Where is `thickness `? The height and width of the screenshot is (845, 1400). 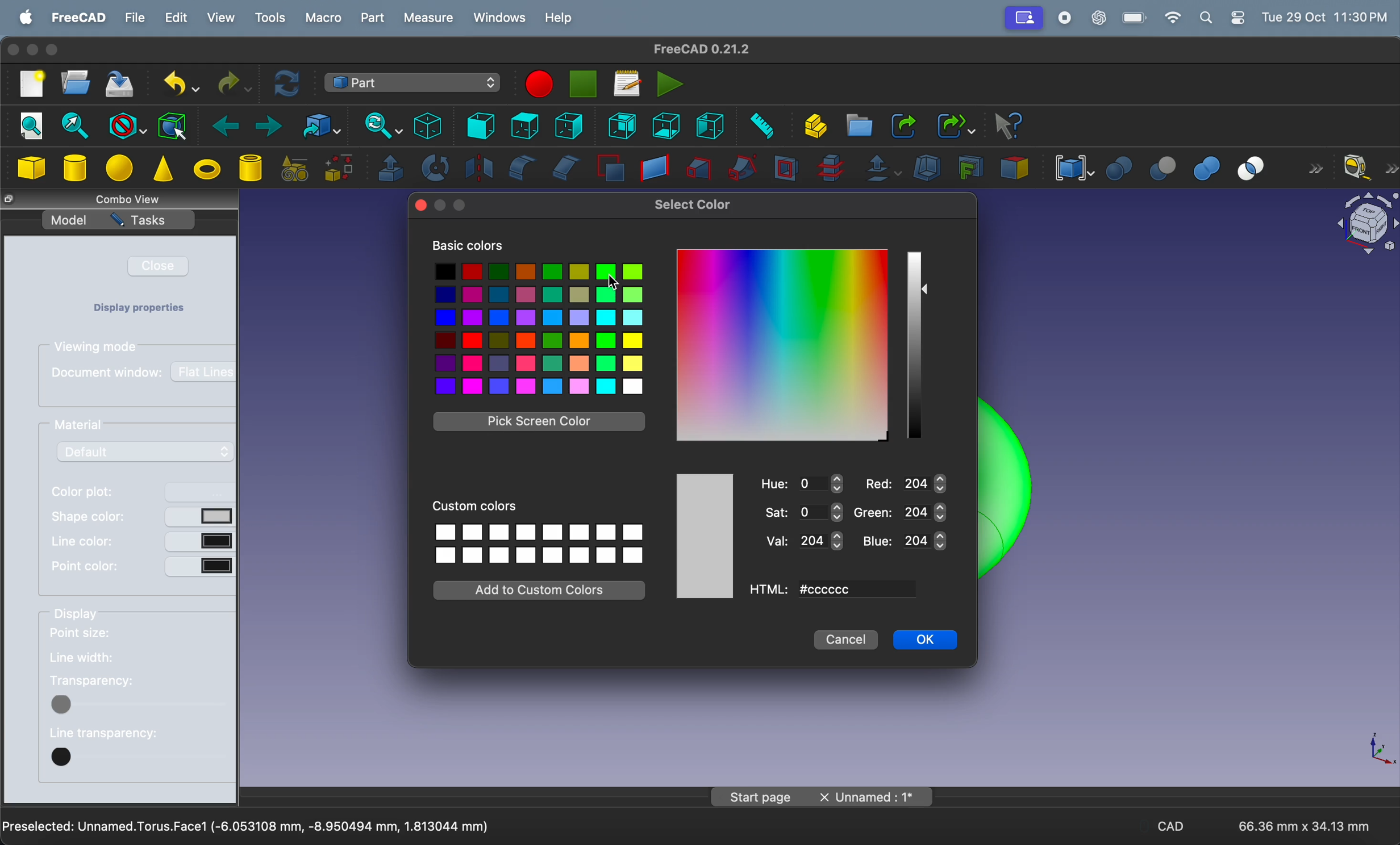
thickness  is located at coordinates (927, 167).